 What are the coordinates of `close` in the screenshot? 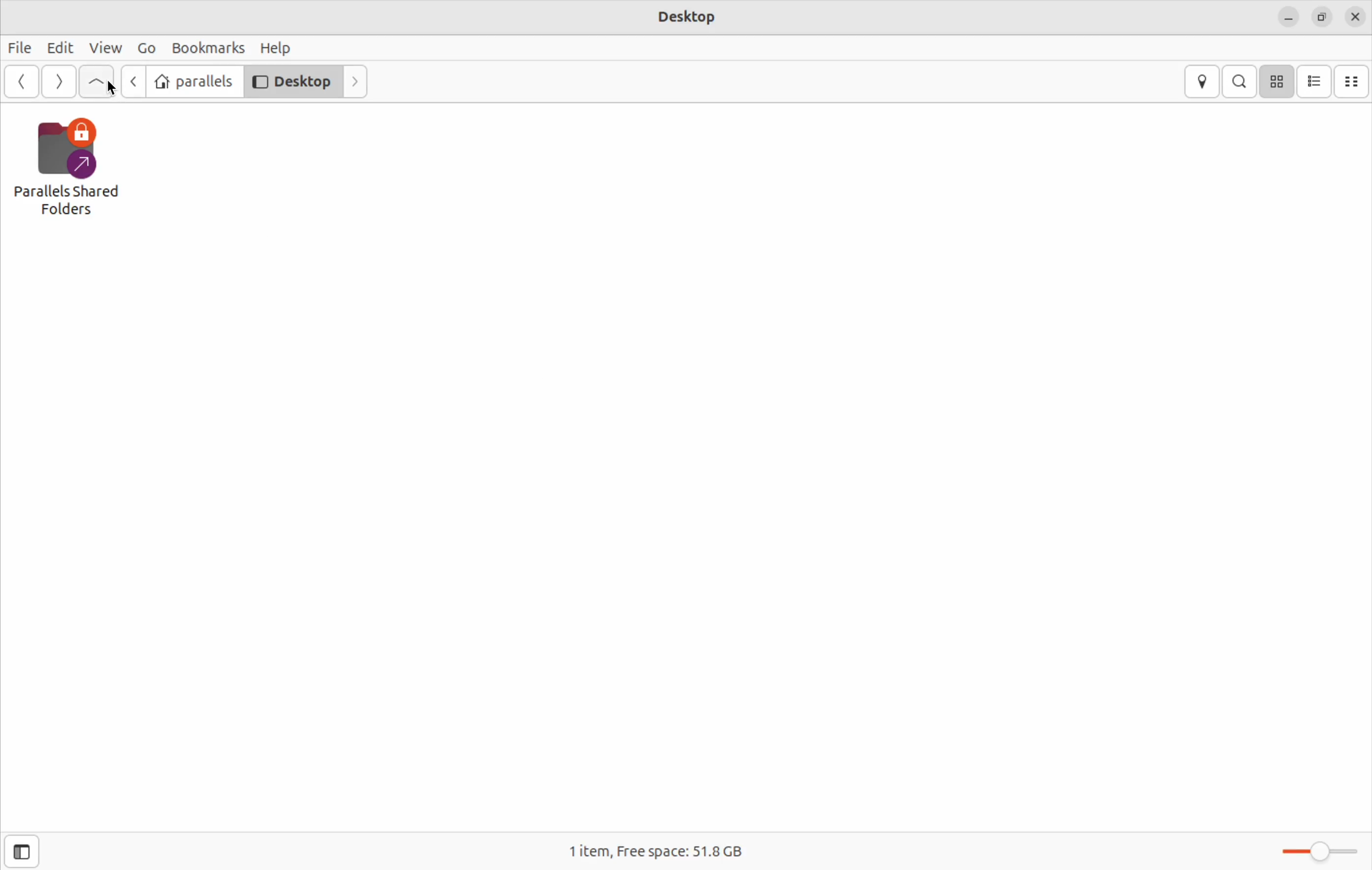 It's located at (1355, 18).